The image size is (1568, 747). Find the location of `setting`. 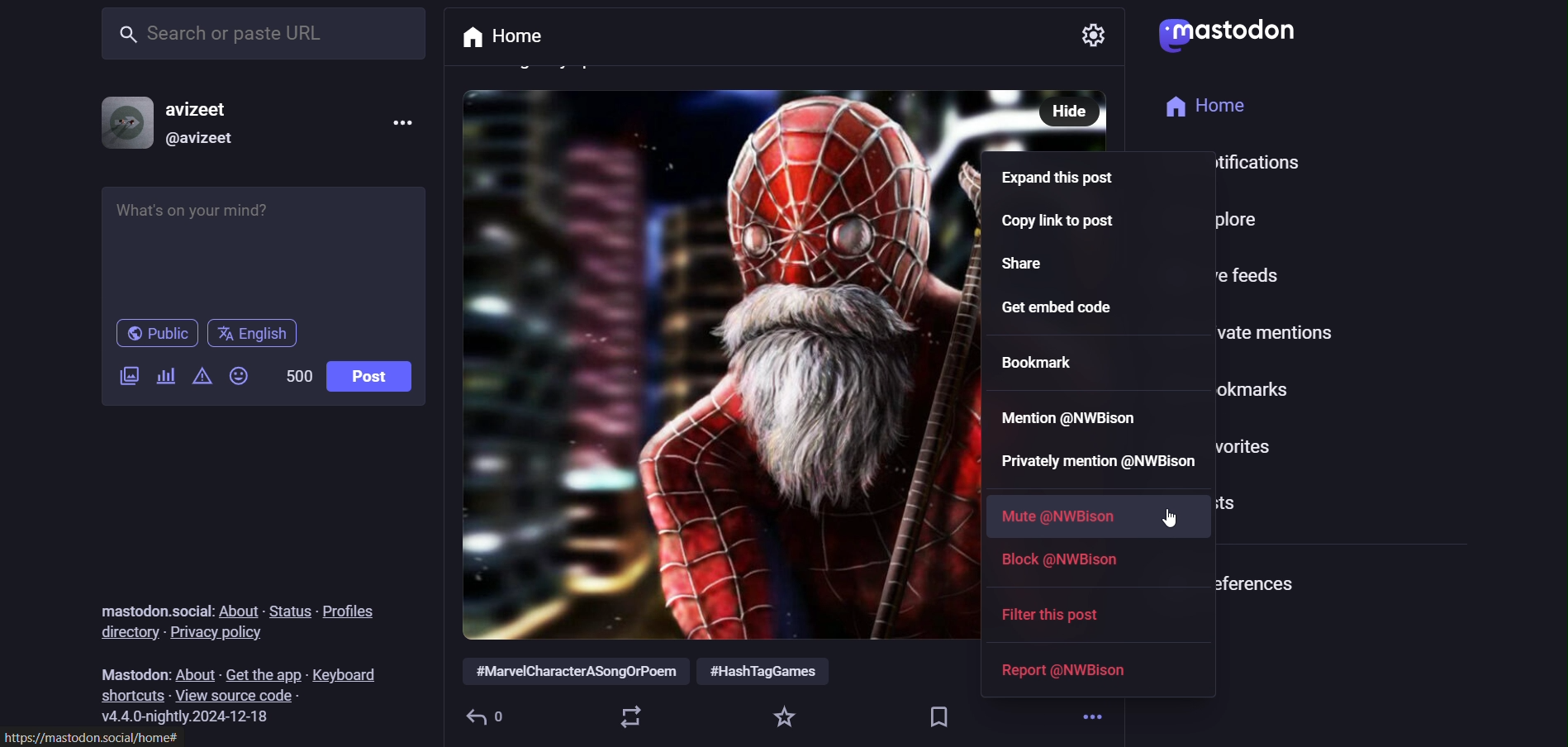

setting is located at coordinates (1096, 36).